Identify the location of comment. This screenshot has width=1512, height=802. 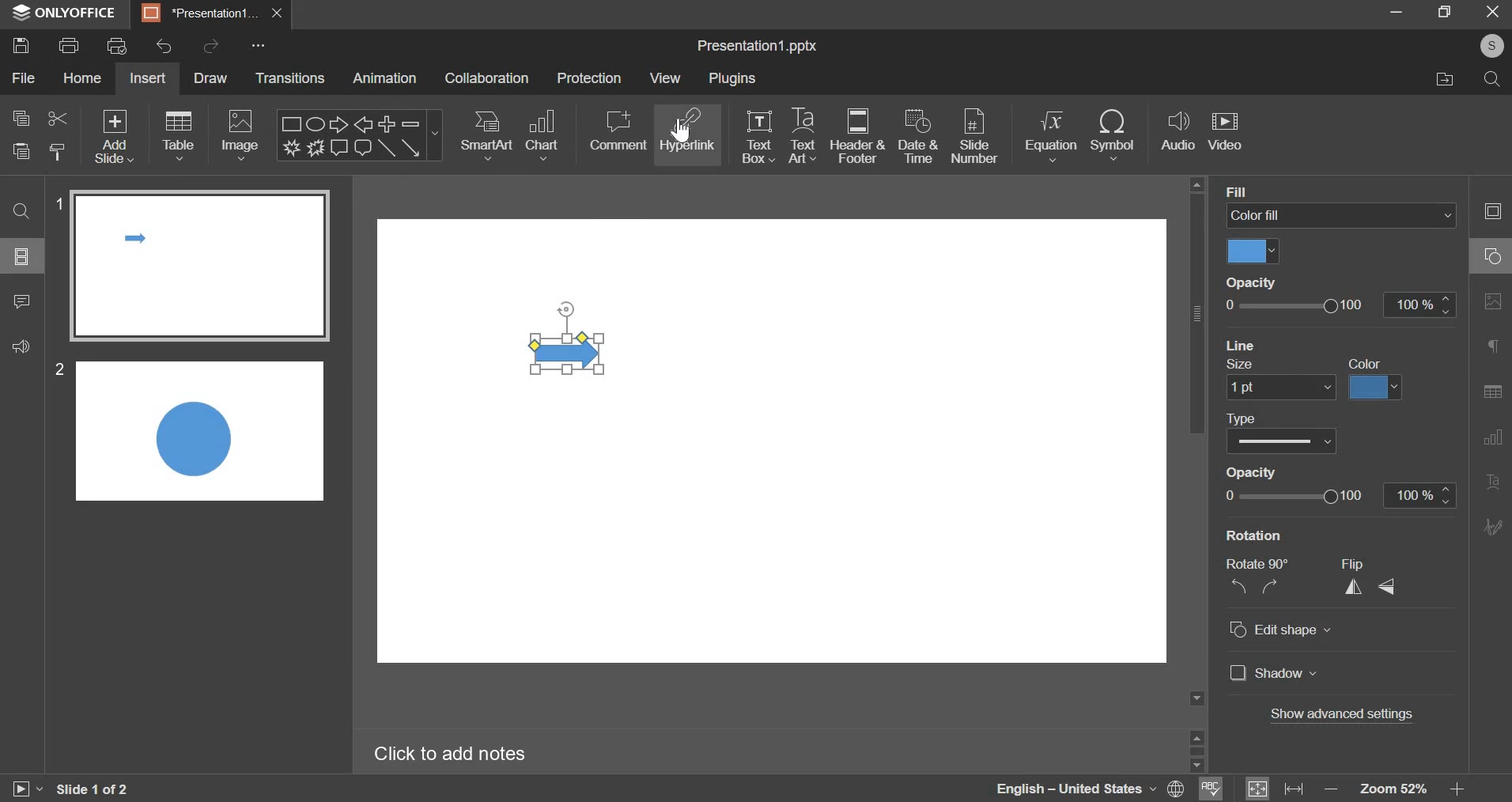
(22, 301).